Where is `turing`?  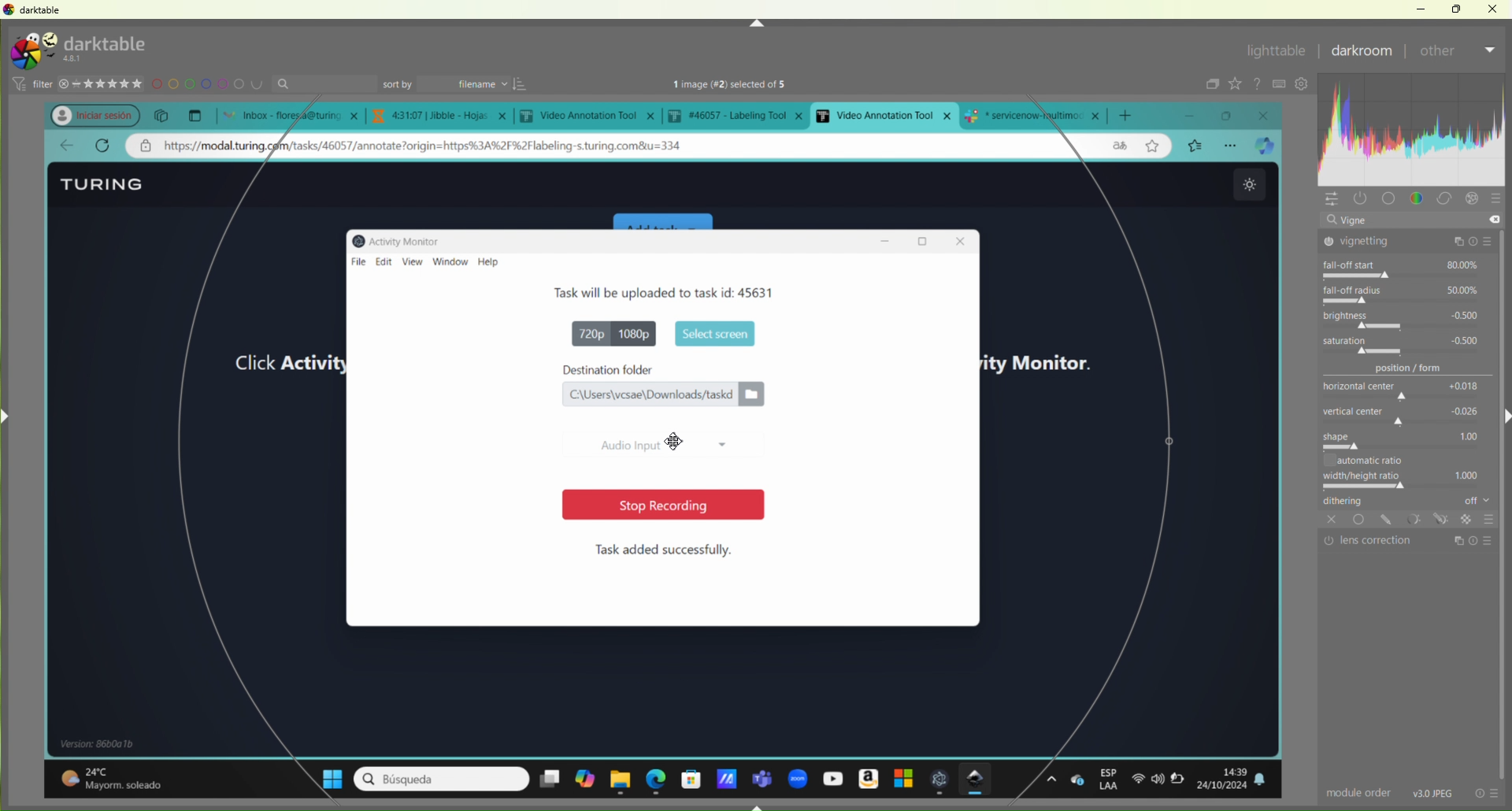
turing is located at coordinates (96, 48).